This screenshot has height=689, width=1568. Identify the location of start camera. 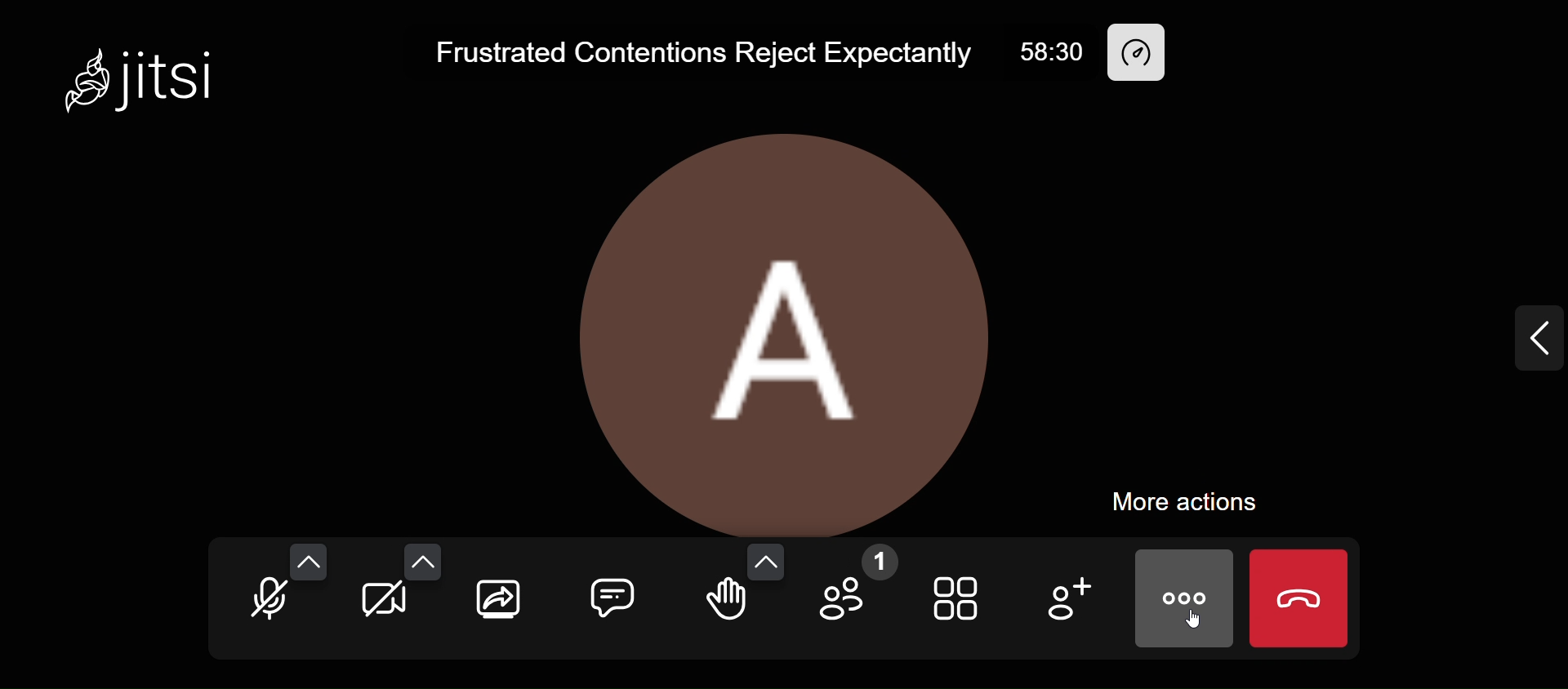
(381, 606).